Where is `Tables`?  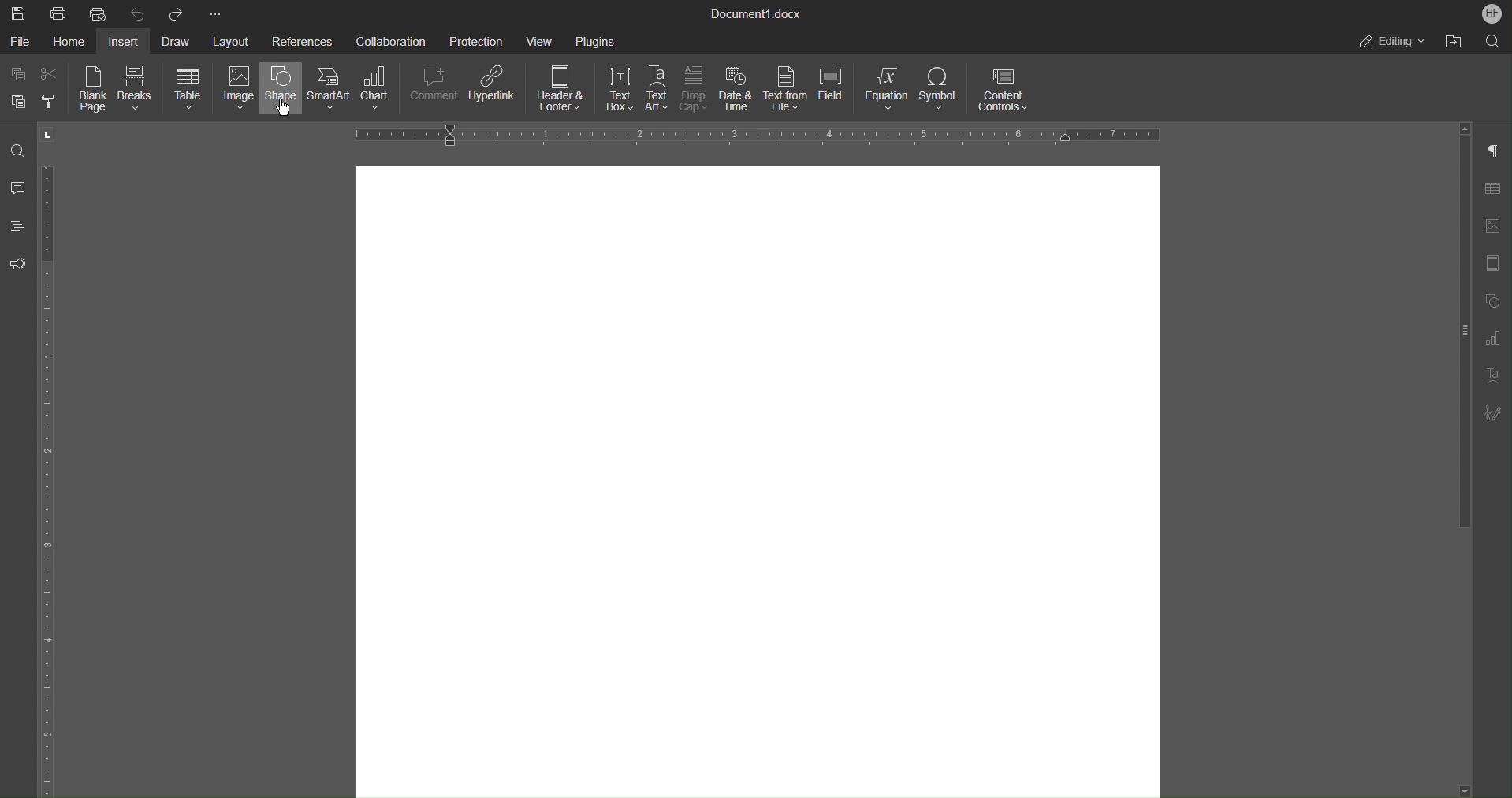 Tables is located at coordinates (1498, 188).